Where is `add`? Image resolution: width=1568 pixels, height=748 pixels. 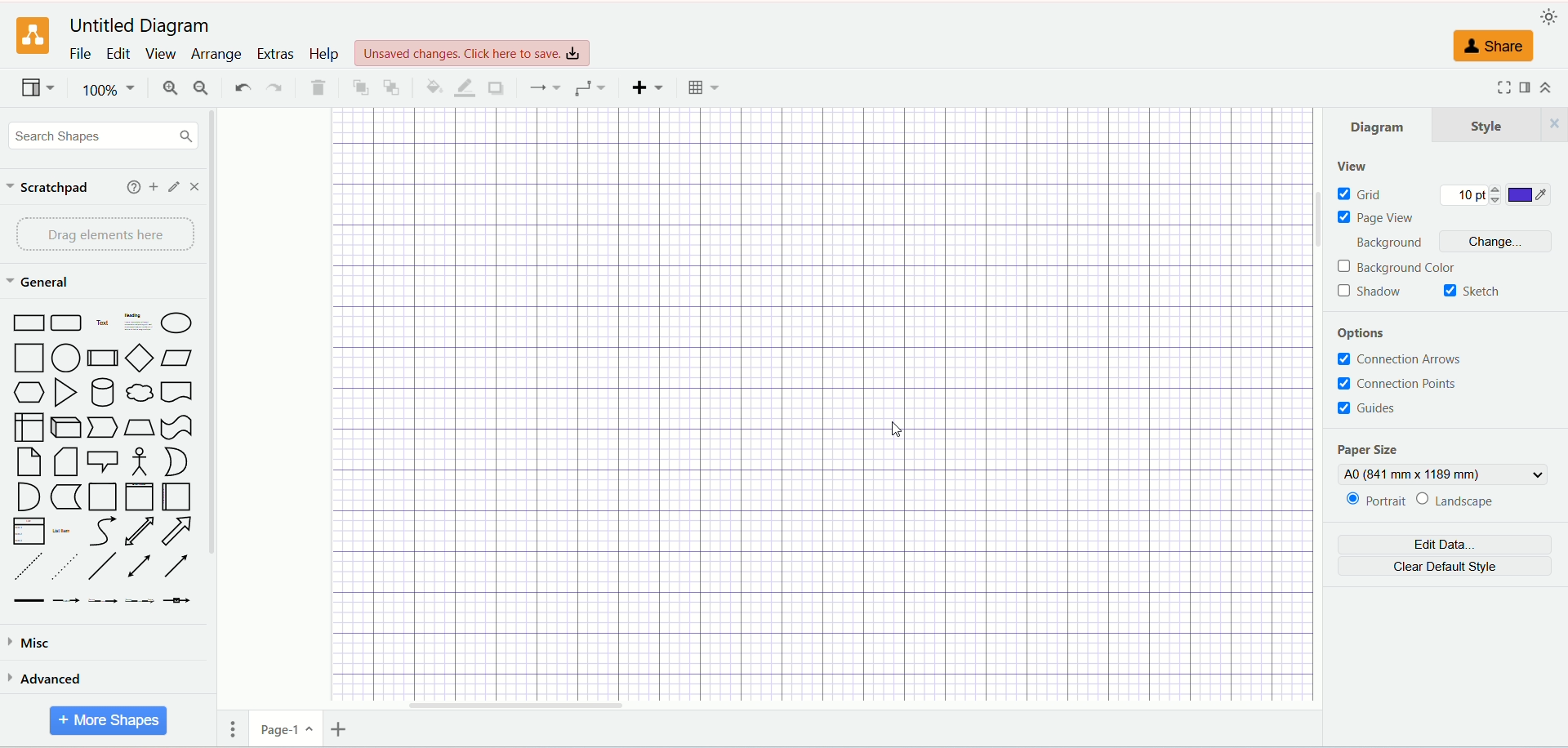
add is located at coordinates (150, 186).